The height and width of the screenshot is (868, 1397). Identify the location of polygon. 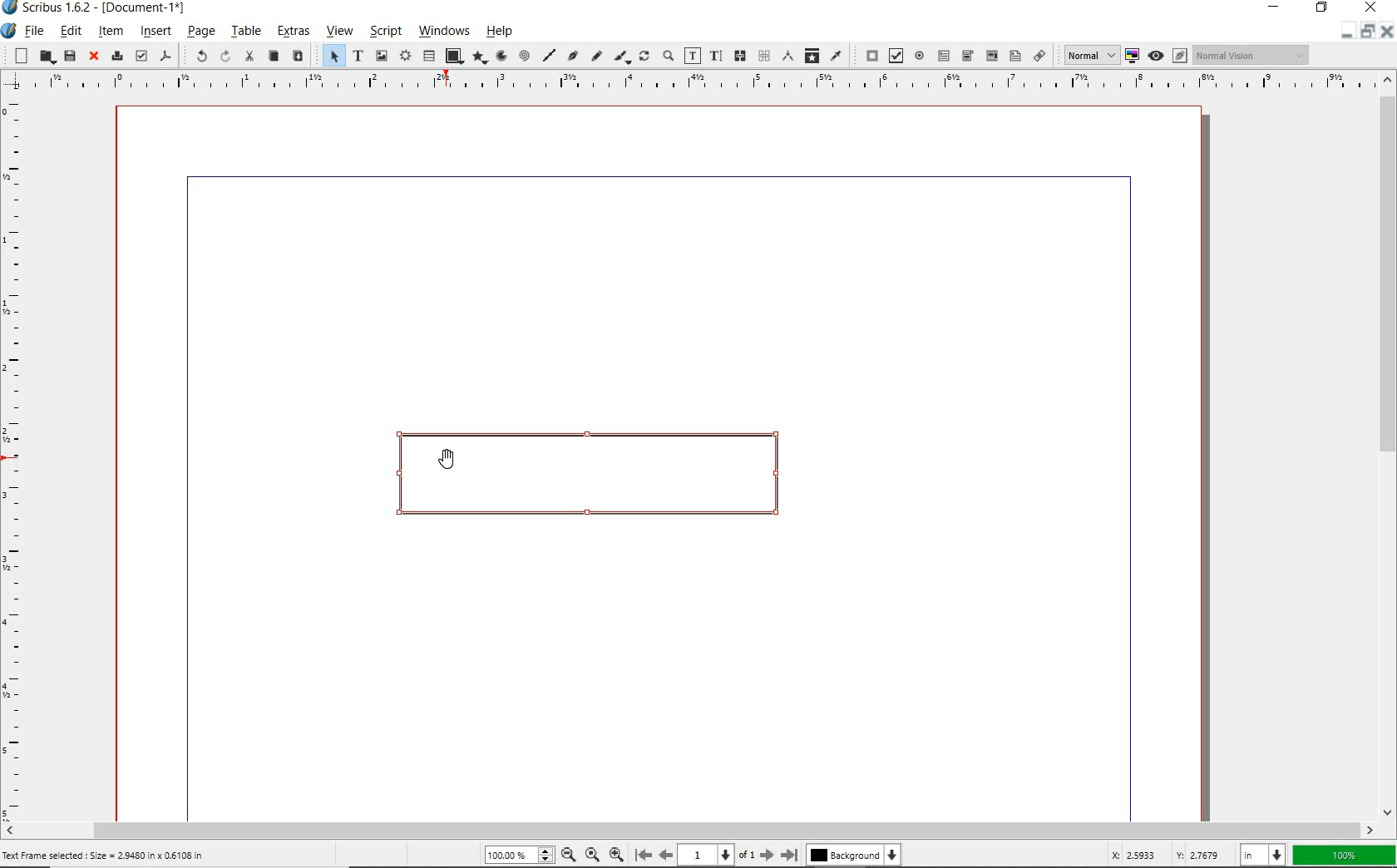
(477, 58).